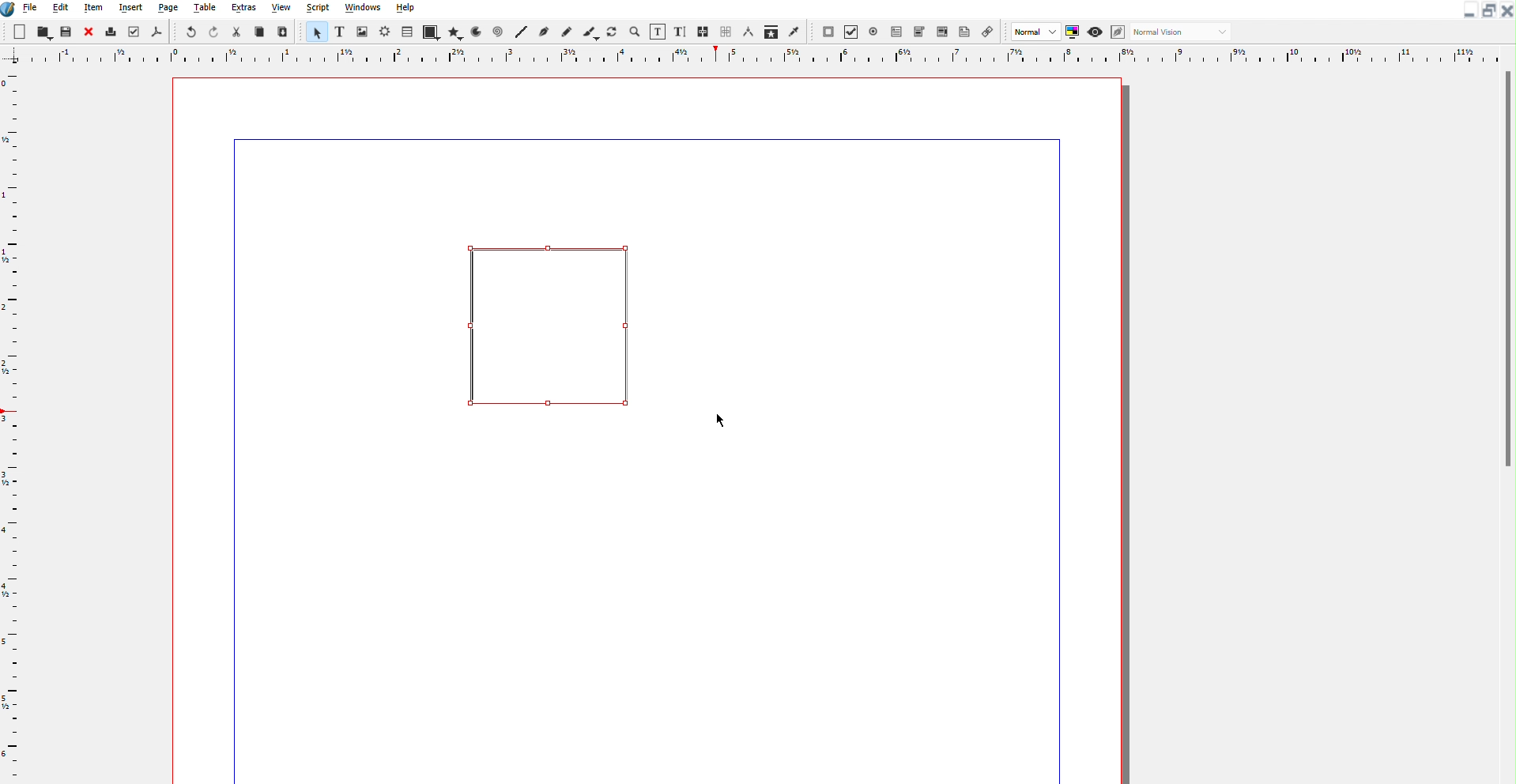 This screenshot has height=784, width=1516. What do you see at coordinates (633, 32) in the screenshot?
I see `Zoom In and Out` at bounding box center [633, 32].